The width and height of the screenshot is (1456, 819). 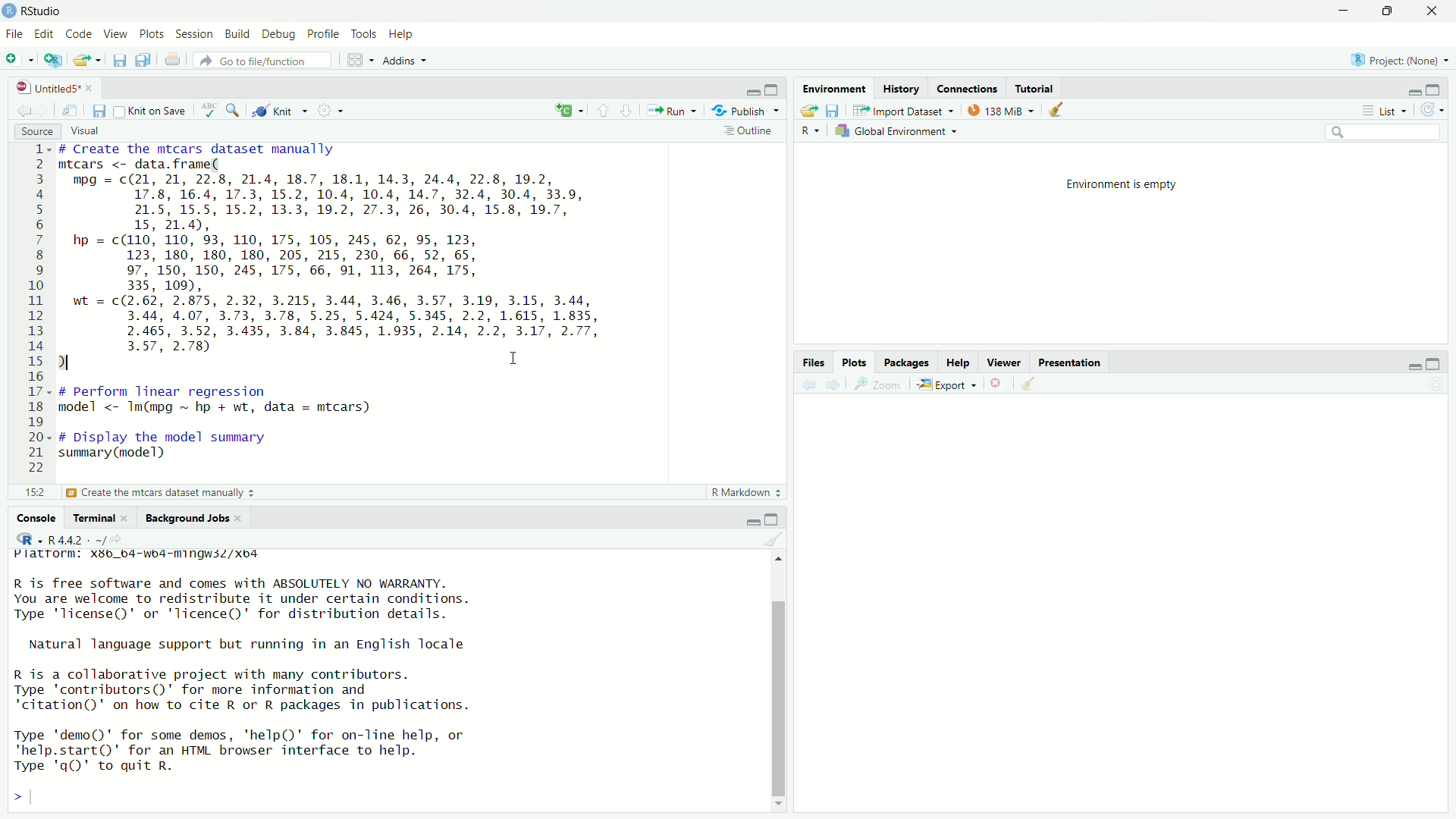 I want to click on remove current plot, so click(x=999, y=383).